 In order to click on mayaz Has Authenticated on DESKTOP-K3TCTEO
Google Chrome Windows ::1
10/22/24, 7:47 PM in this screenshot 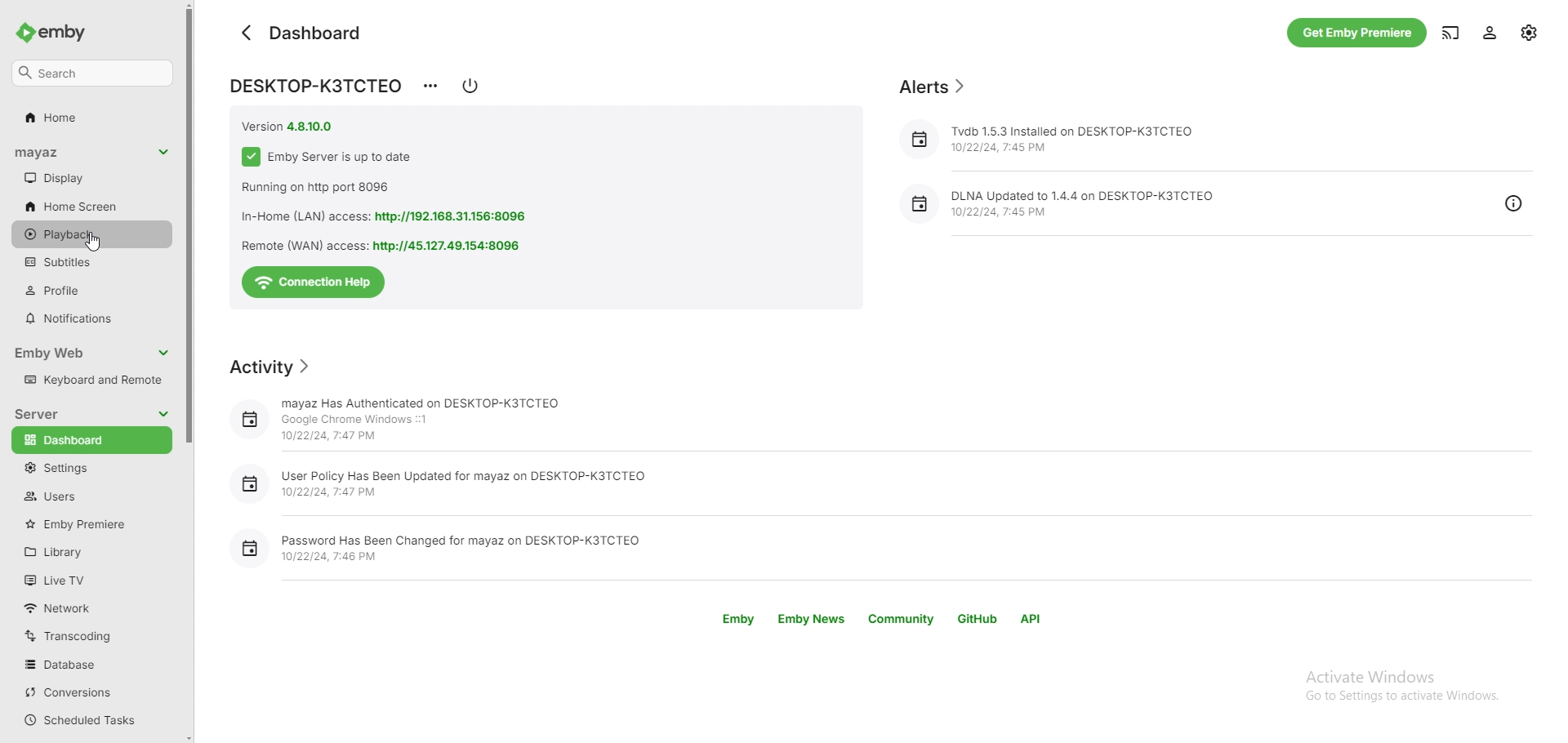, I will do `click(409, 420)`.